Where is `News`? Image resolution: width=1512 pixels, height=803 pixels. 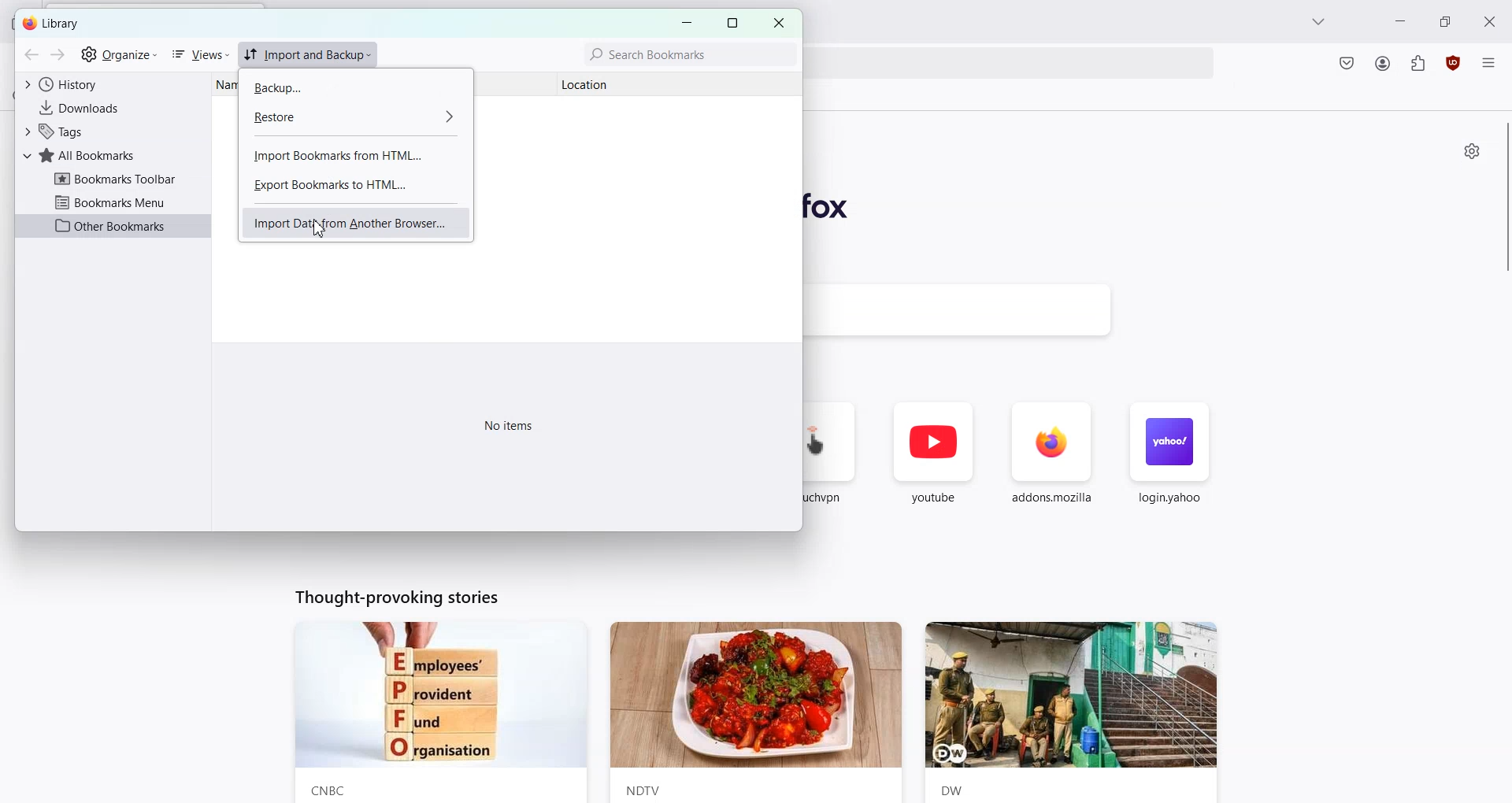 News is located at coordinates (756, 712).